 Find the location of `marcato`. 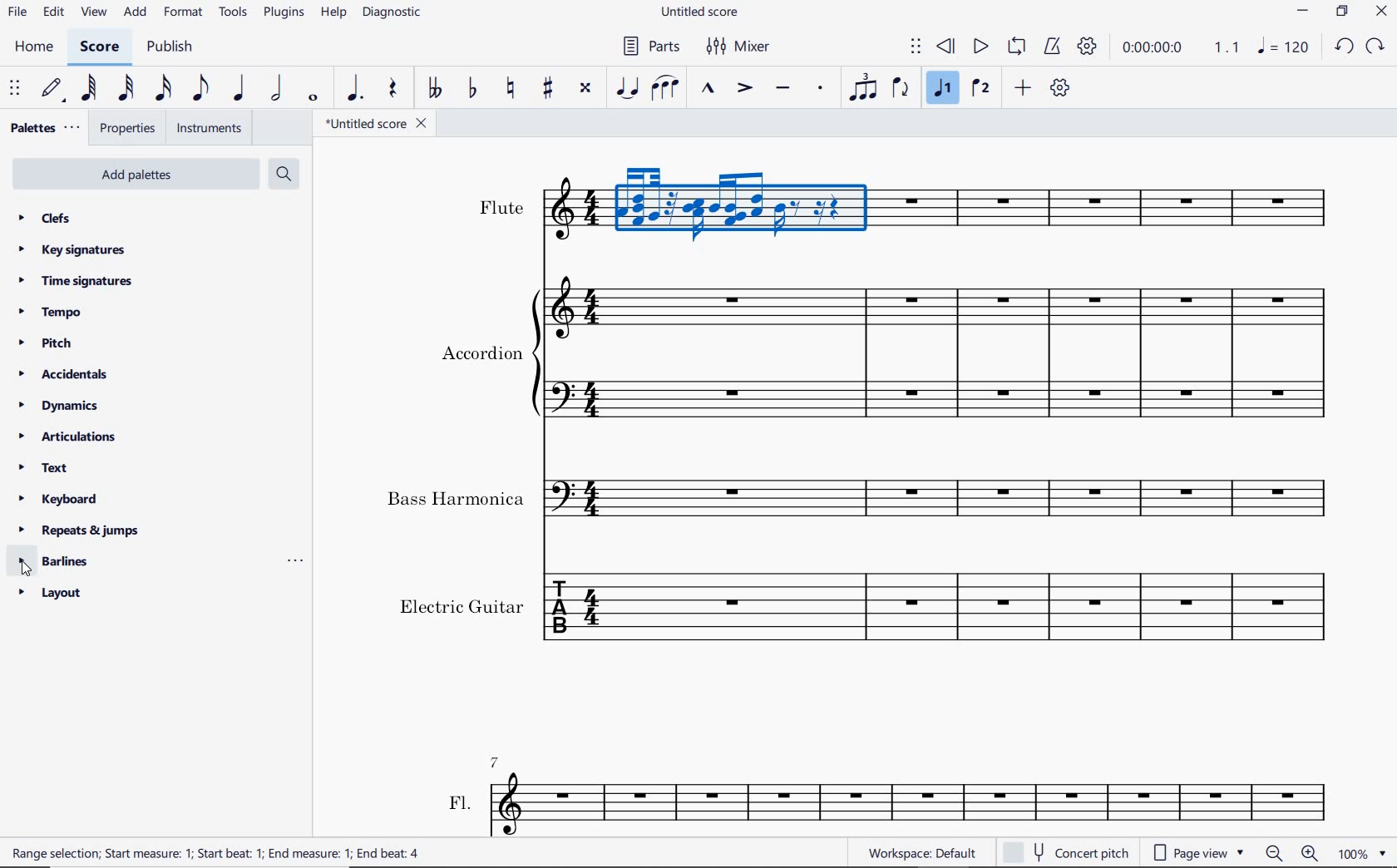

marcato is located at coordinates (707, 89).